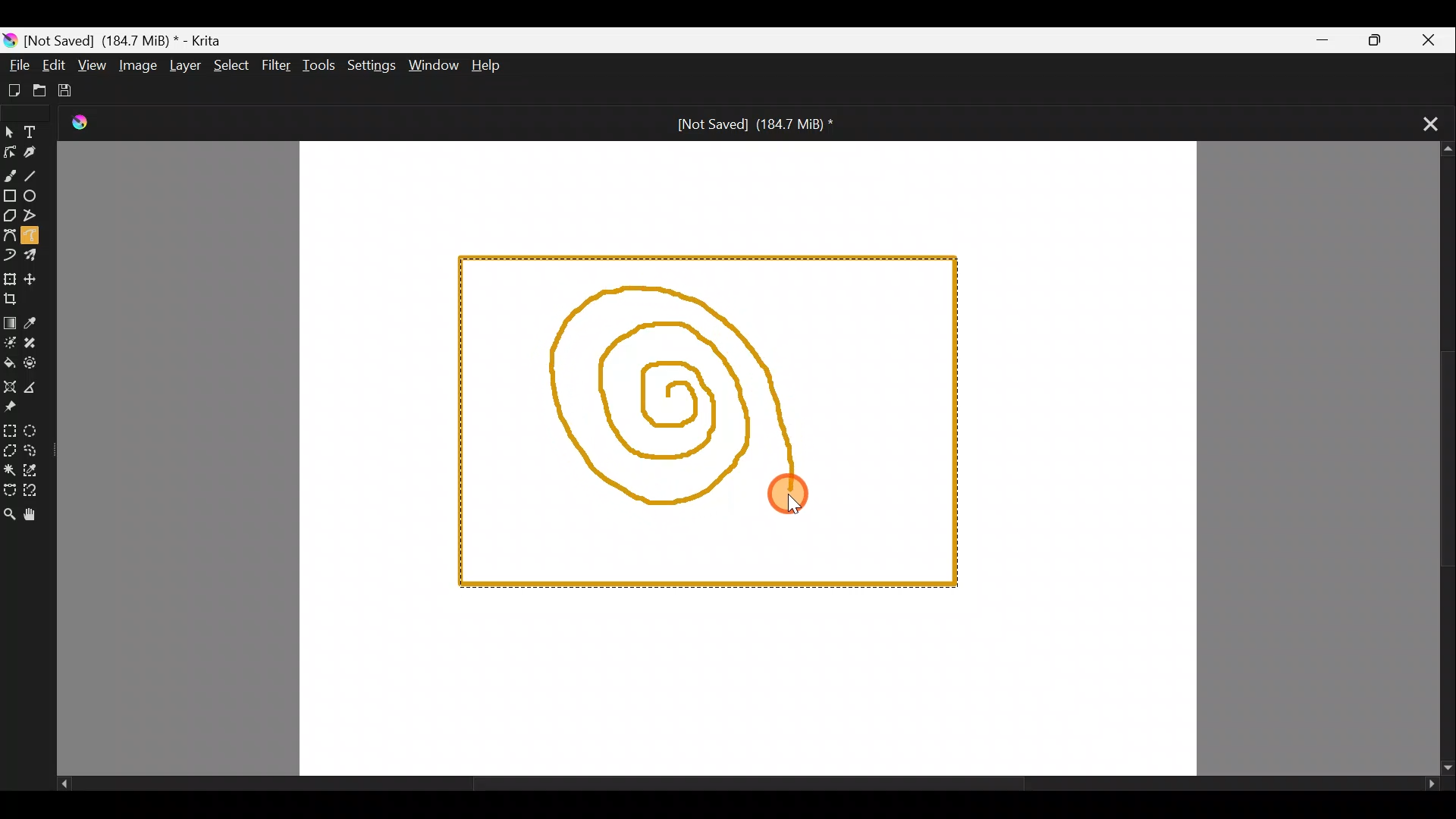 The image size is (1456, 819). Describe the element at coordinates (39, 453) in the screenshot. I see `Freehand selection tool` at that location.